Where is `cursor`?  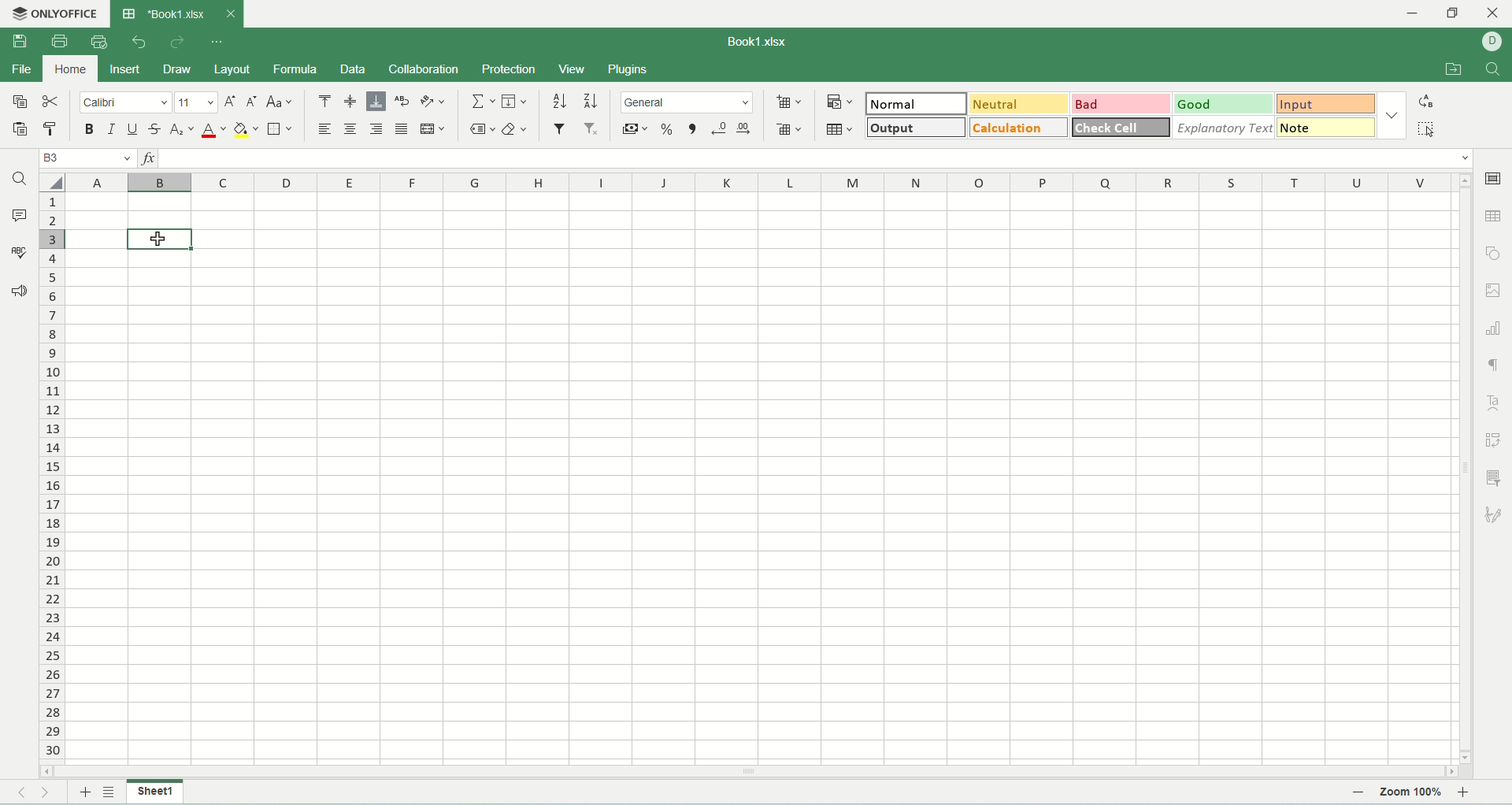
cursor is located at coordinates (161, 240).